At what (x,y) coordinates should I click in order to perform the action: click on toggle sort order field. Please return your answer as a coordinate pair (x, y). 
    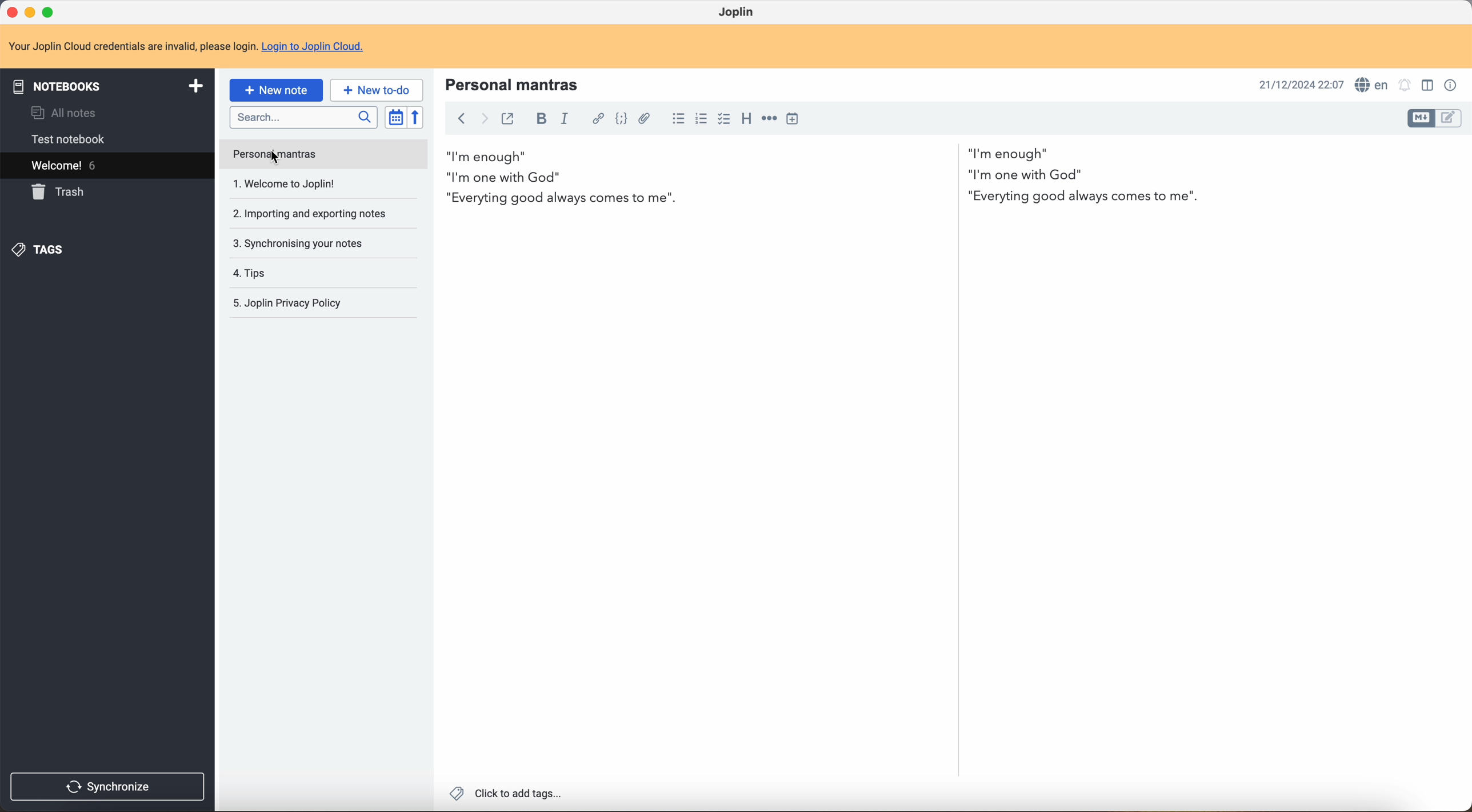
    Looking at the image, I should click on (394, 117).